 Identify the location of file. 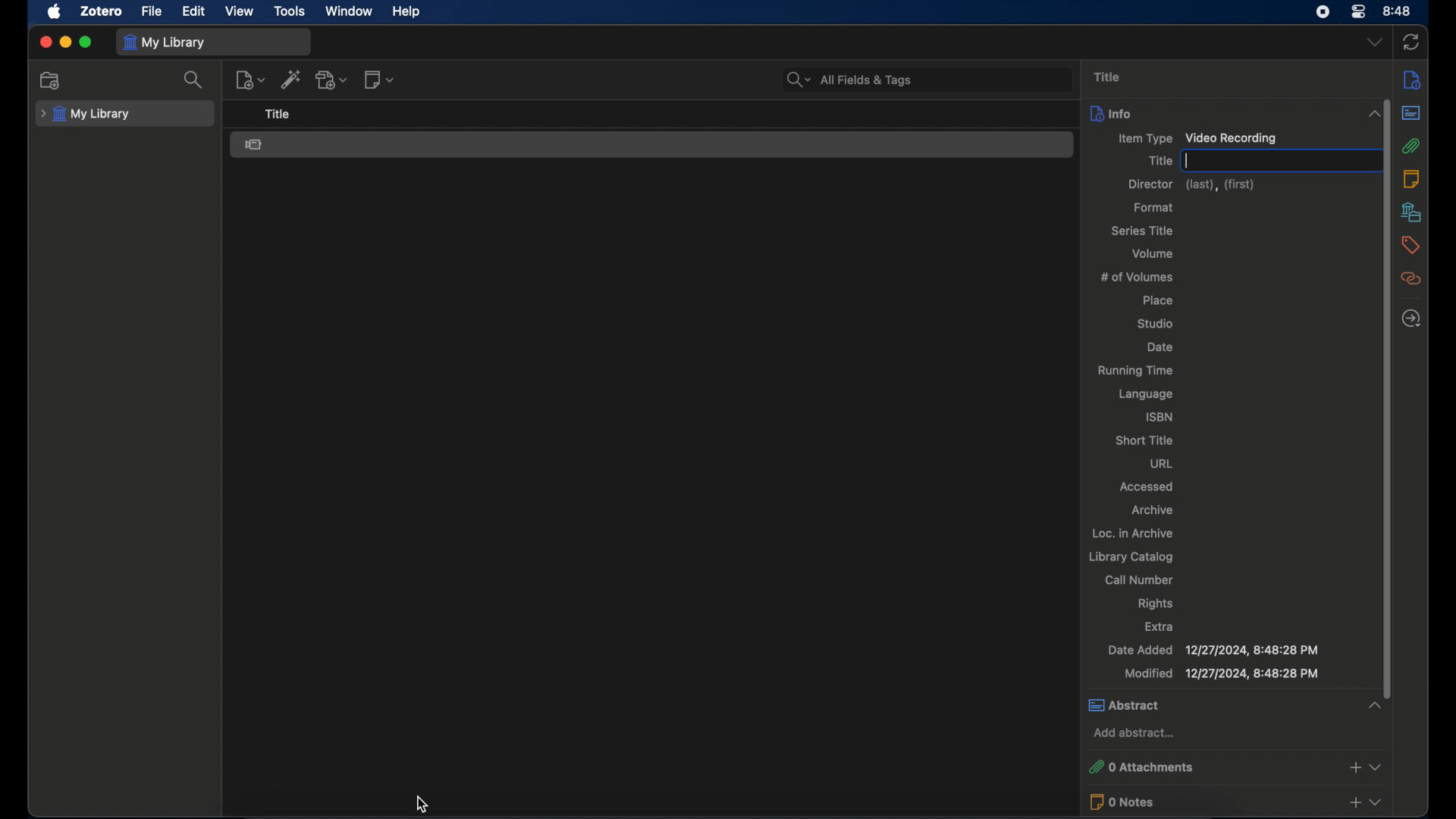
(151, 12).